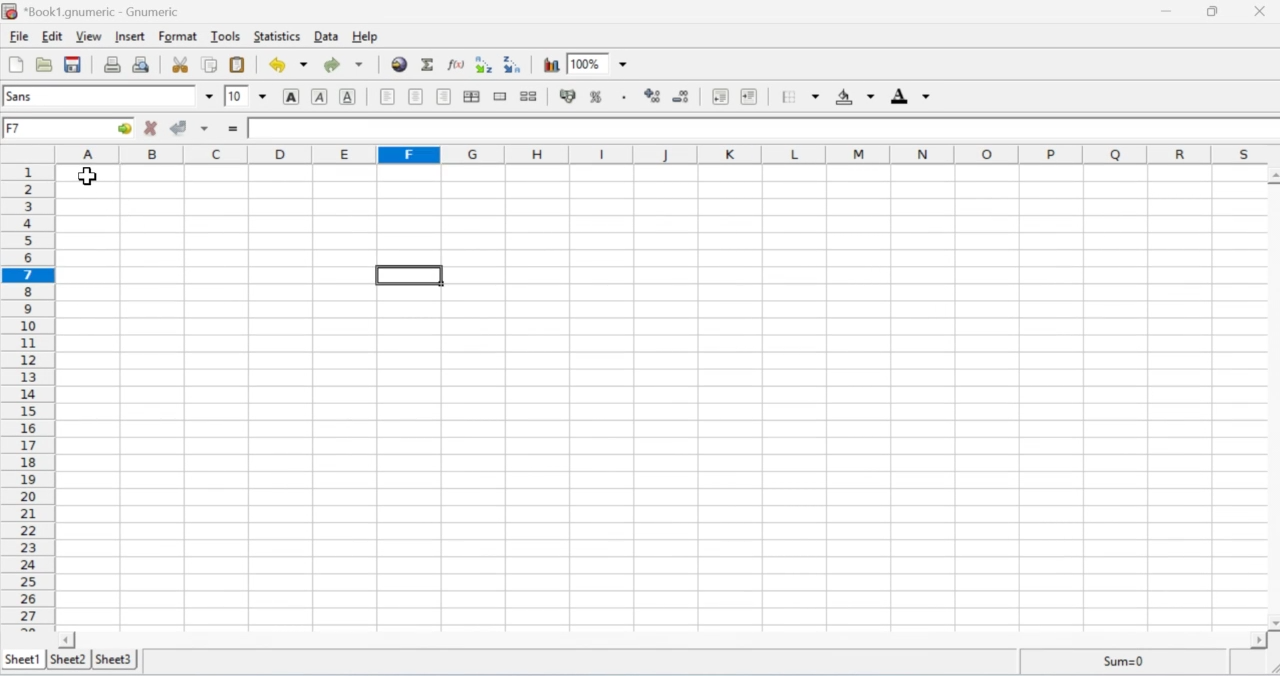  What do you see at coordinates (152, 127) in the screenshot?
I see `Cancel Change` at bounding box center [152, 127].